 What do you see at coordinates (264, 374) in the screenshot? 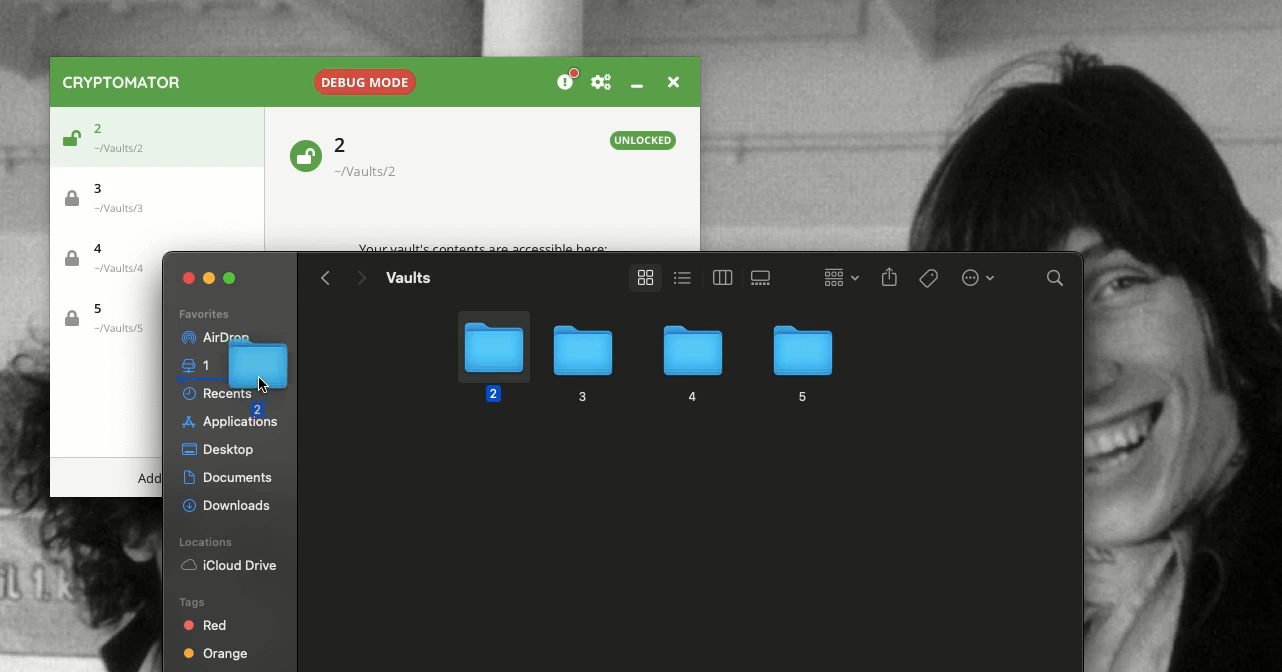
I see `file` at bounding box center [264, 374].